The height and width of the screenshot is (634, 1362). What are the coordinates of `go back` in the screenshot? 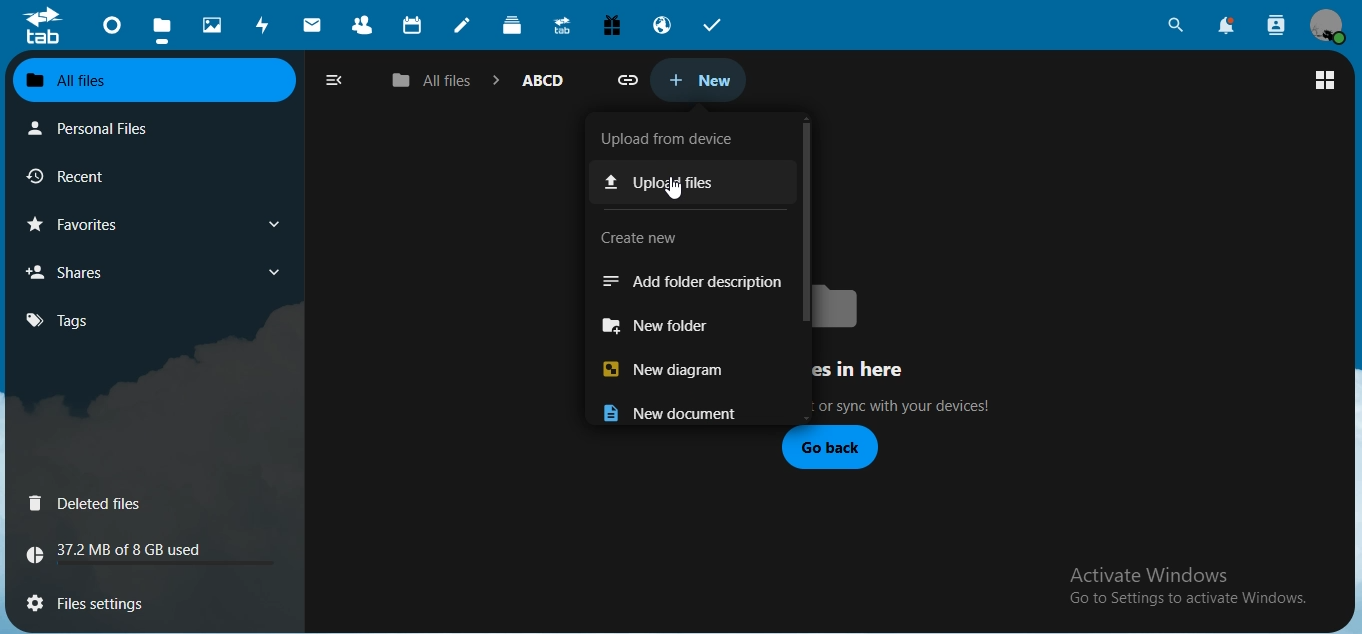 It's located at (831, 449).